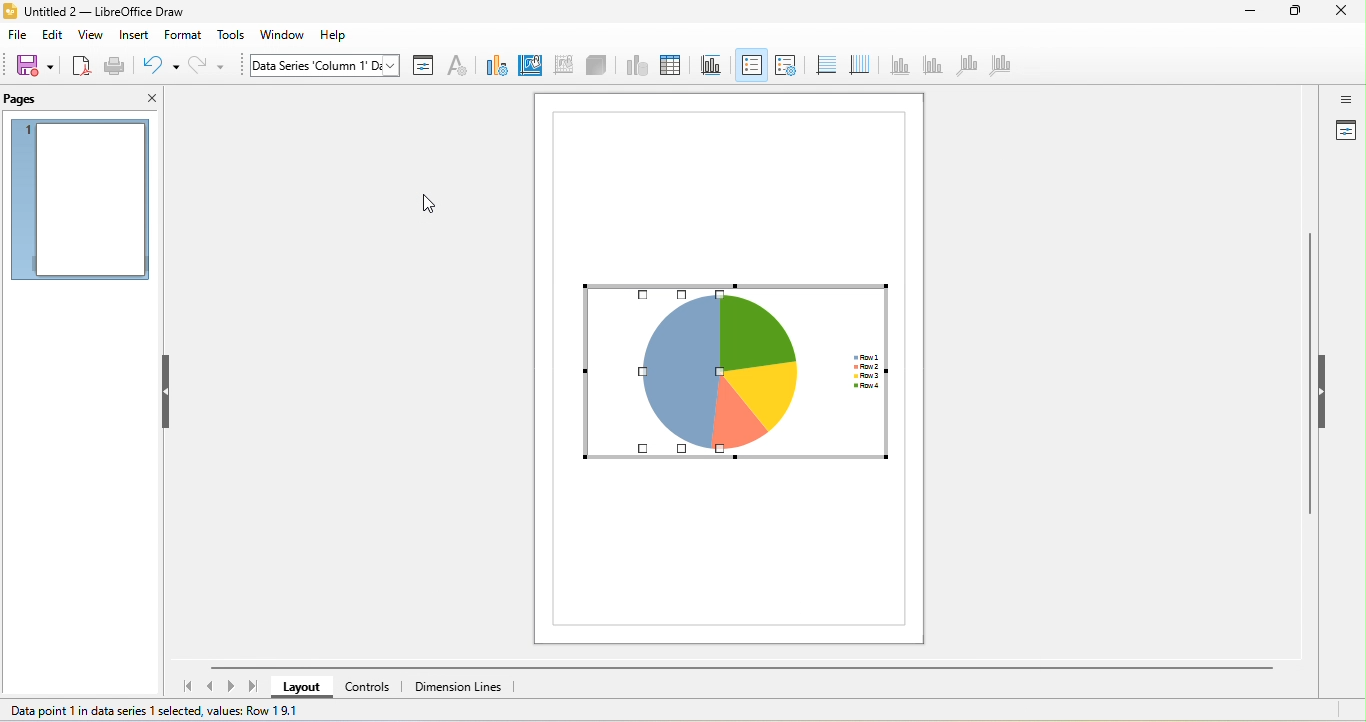 The width and height of the screenshot is (1366, 722). I want to click on change chart, so click(493, 65).